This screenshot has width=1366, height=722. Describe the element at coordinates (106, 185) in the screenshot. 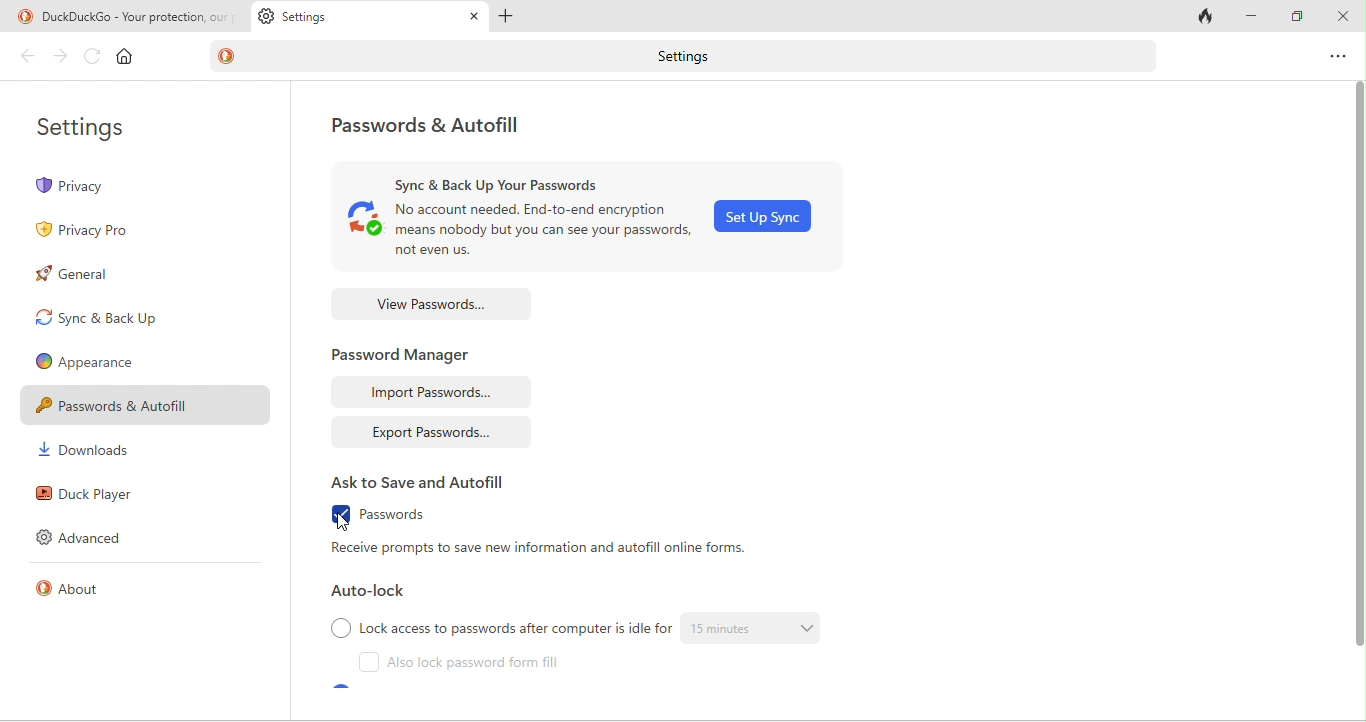

I see `Privacy` at that location.